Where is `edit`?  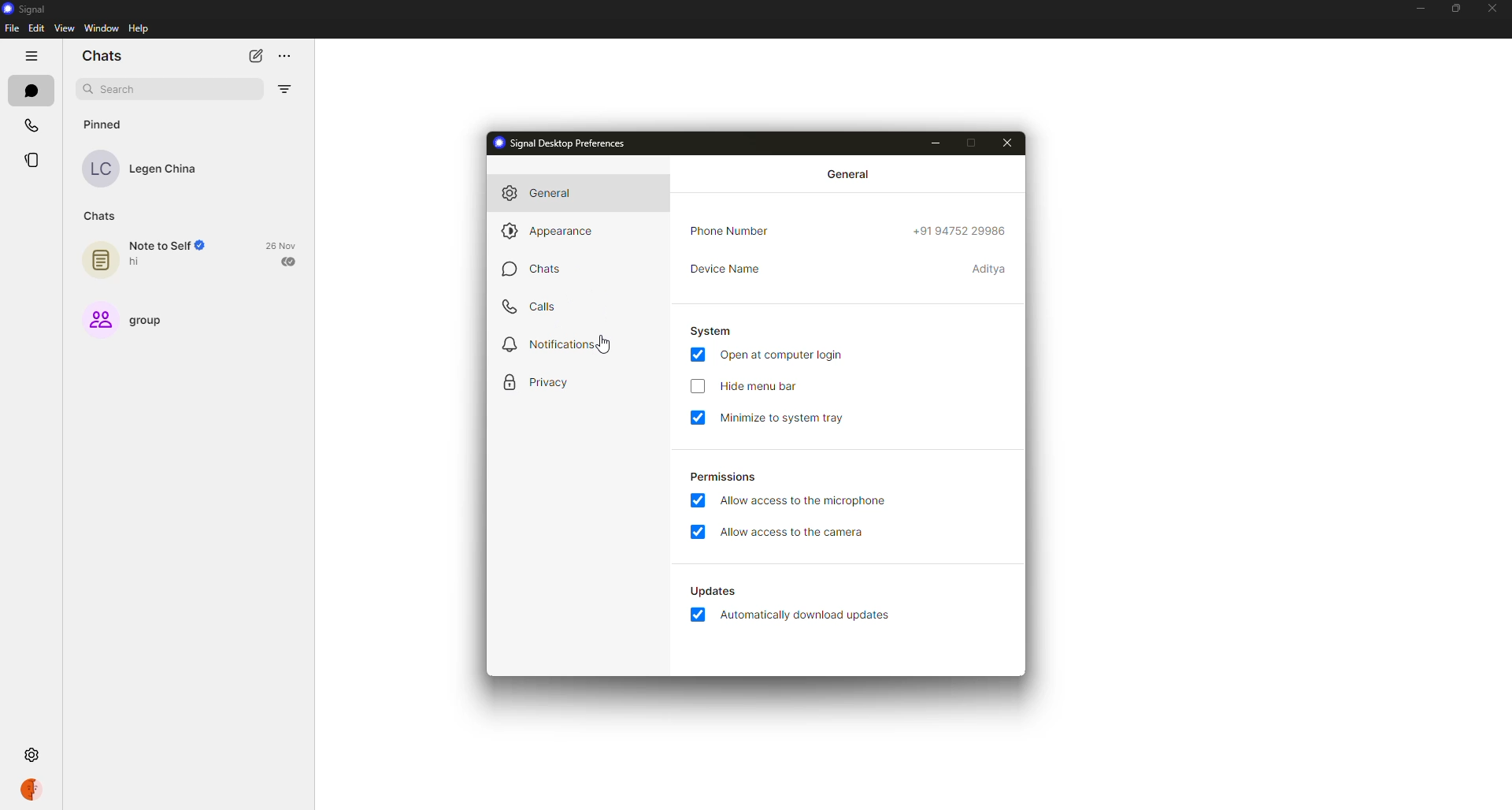 edit is located at coordinates (36, 28).